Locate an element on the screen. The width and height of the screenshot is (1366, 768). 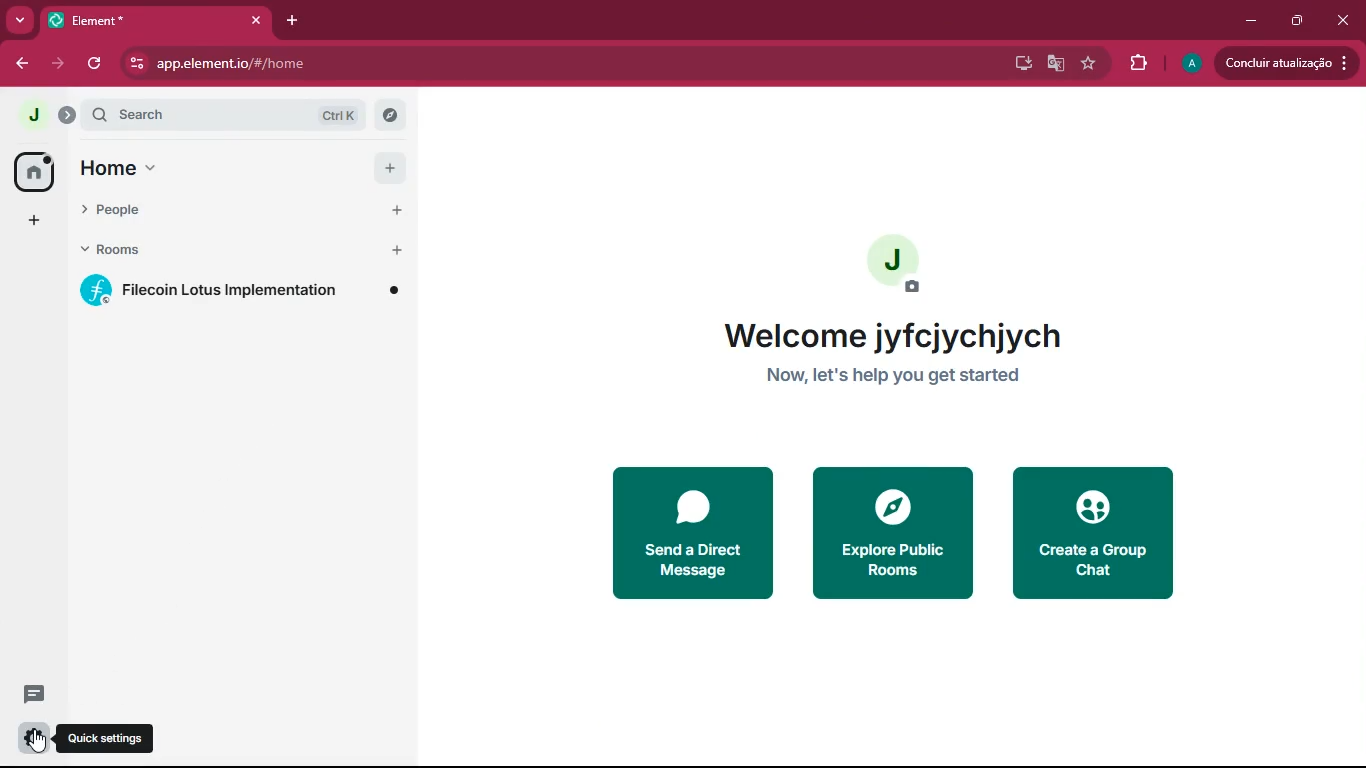
send a direct message is located at coordinates (689, 532).